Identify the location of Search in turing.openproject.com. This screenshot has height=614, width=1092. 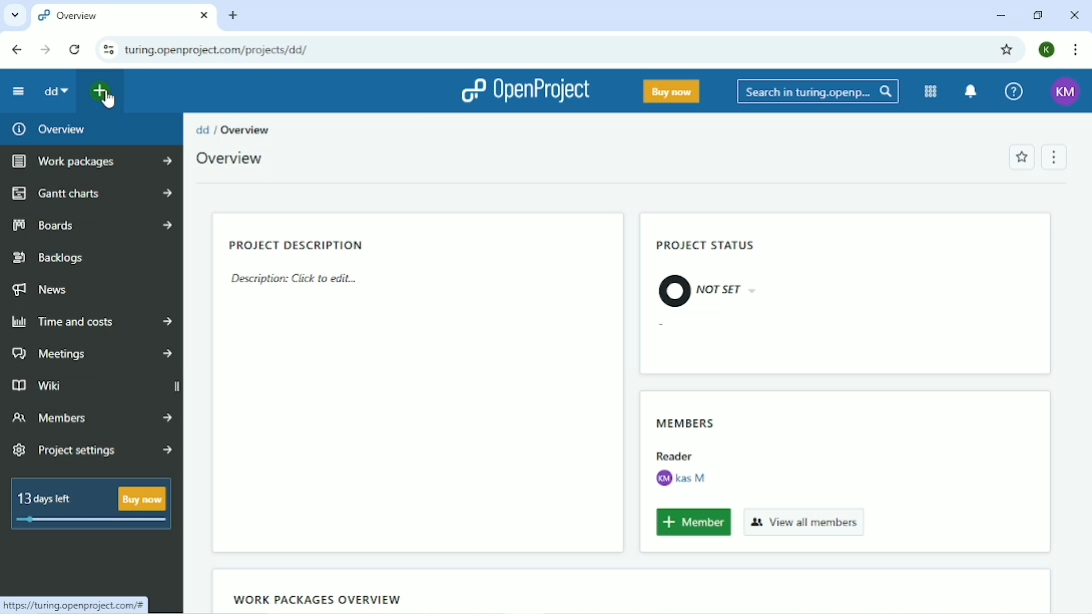
(818, 91).